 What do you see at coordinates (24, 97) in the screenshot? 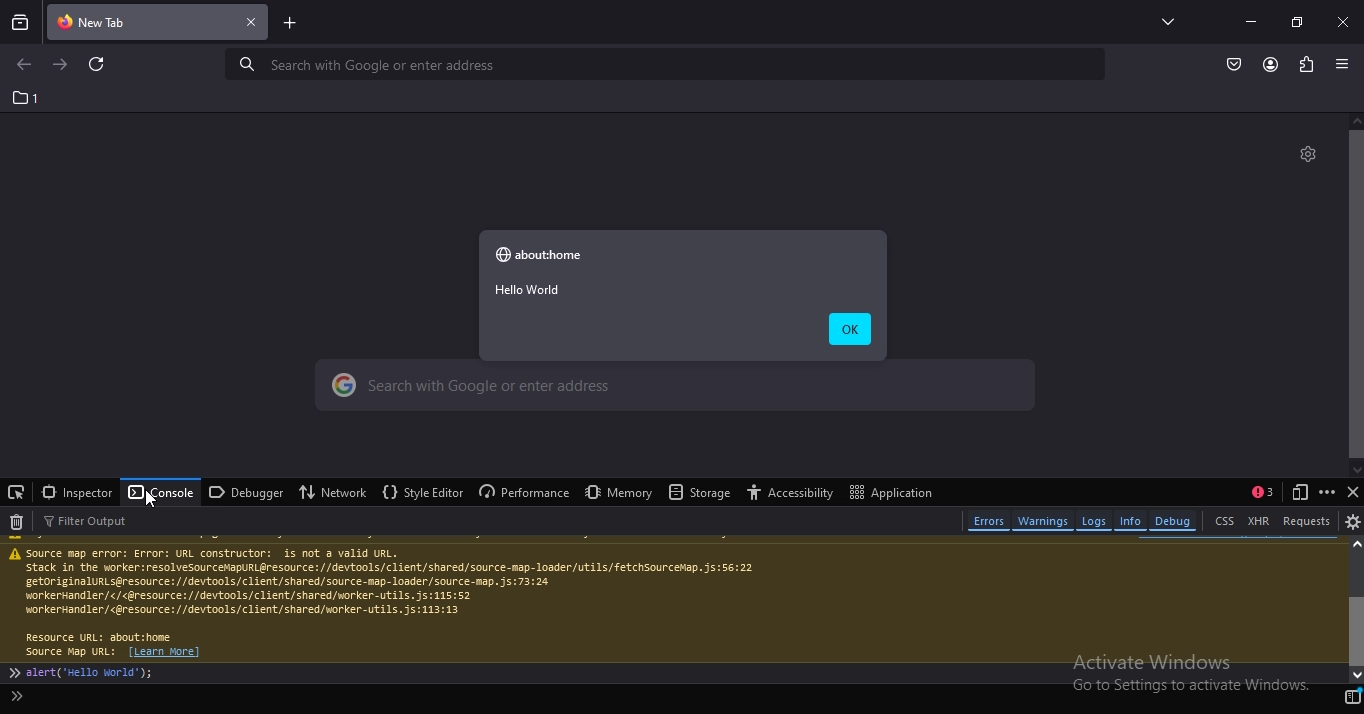
I see `1` at bounding box center [24, 97].